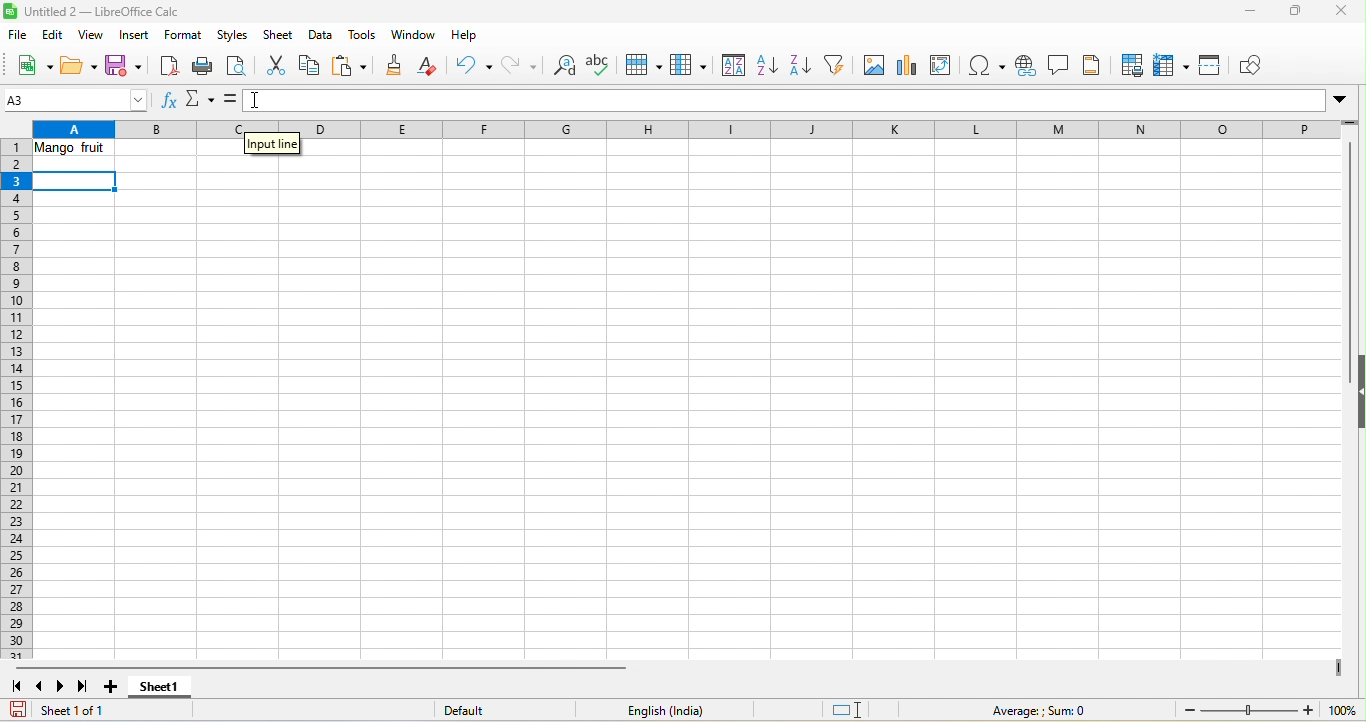 Image resolution: width=1366 pixels, height=722 pixels. What do you see at coordinates (520, 65) in the screenshot?
I see `redo` at bounding box center [520, 65].